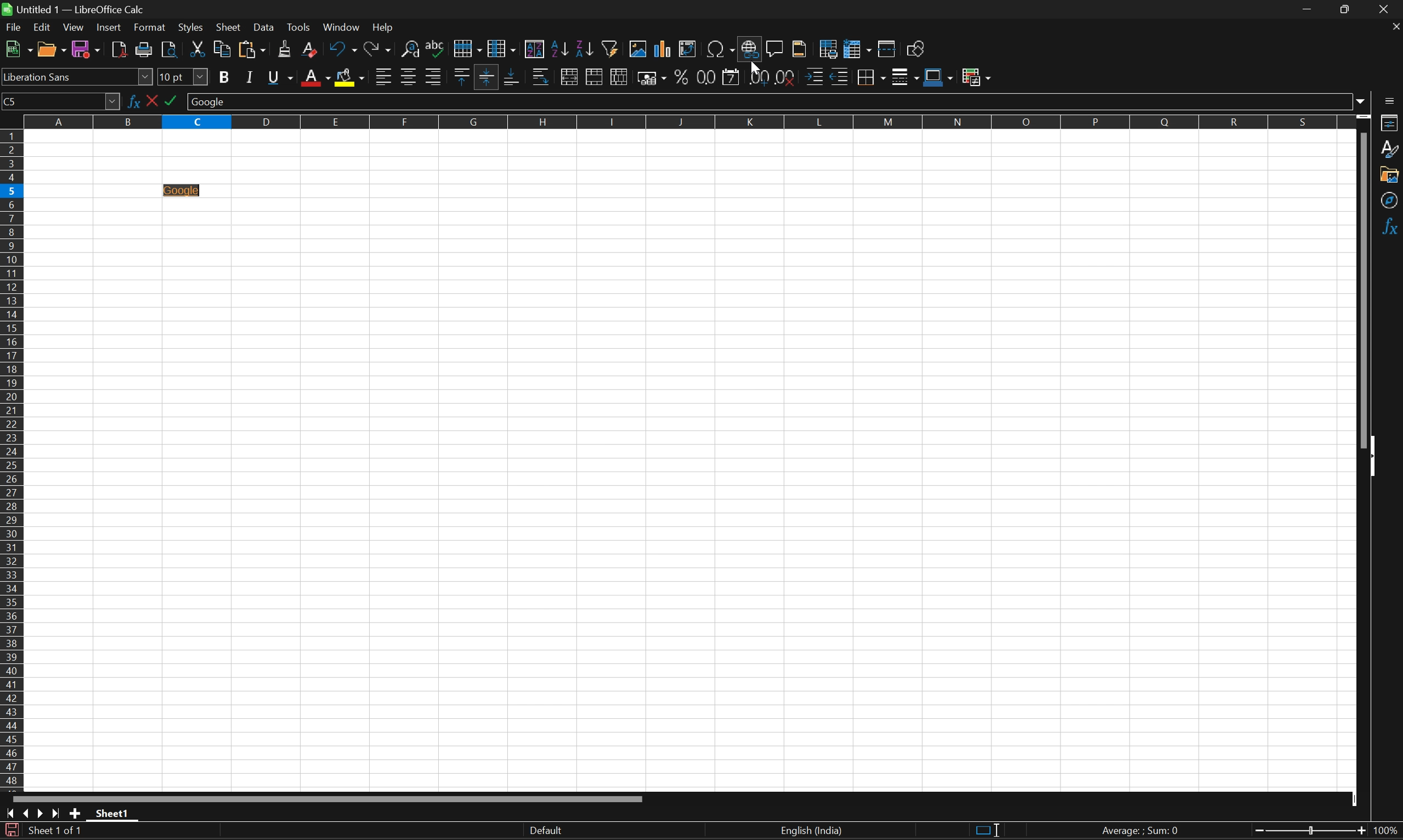 This screenshot has height=840, width=1403. What do you see at coordinates (341, 27) in the screenshot?
I see `Windows` at bounding box center [341, 27].